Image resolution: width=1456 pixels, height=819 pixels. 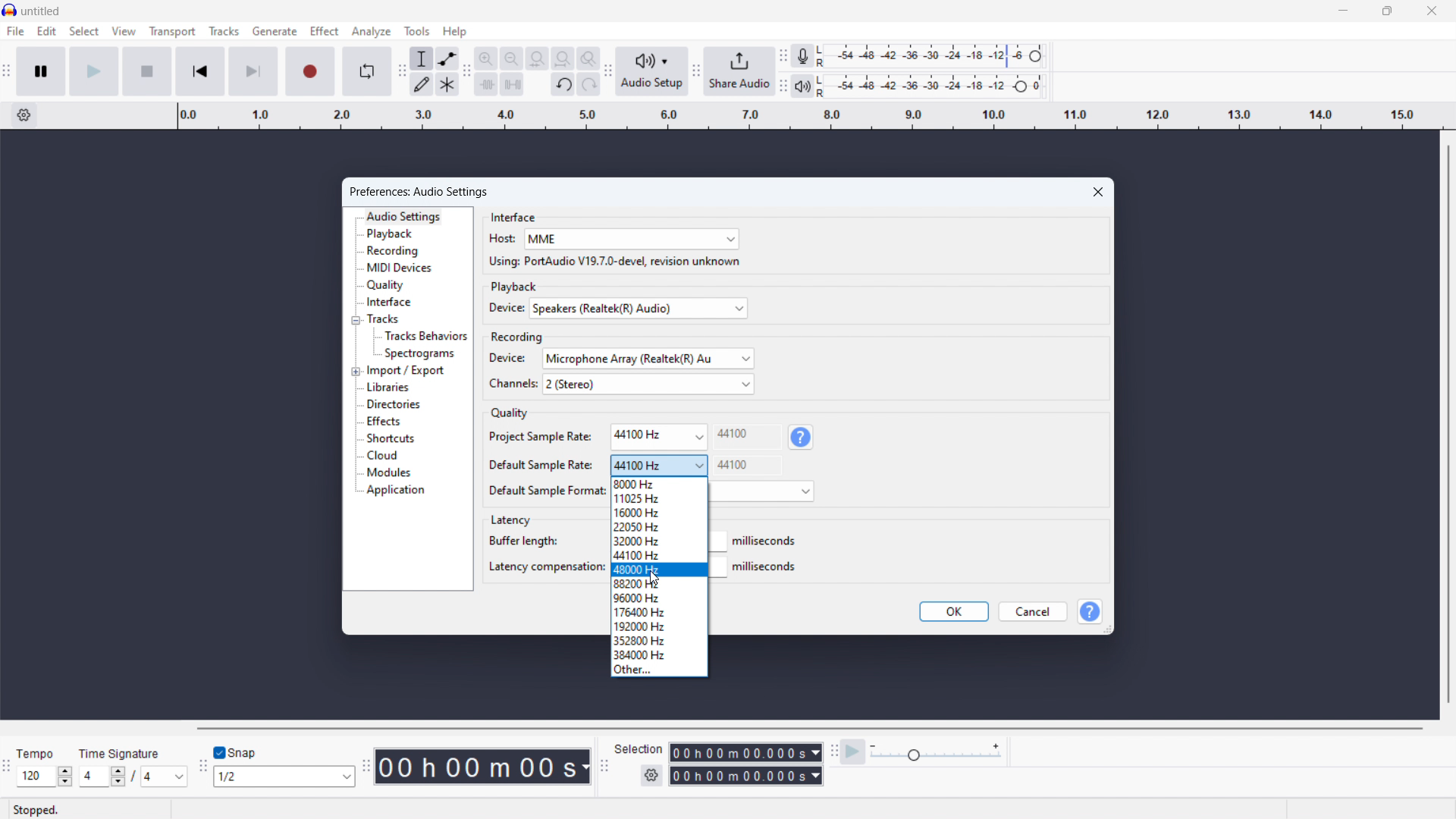 What do you see at coordinates (648, 384) in the screenshot?
I see `channels` at bounding box center [648, 384].